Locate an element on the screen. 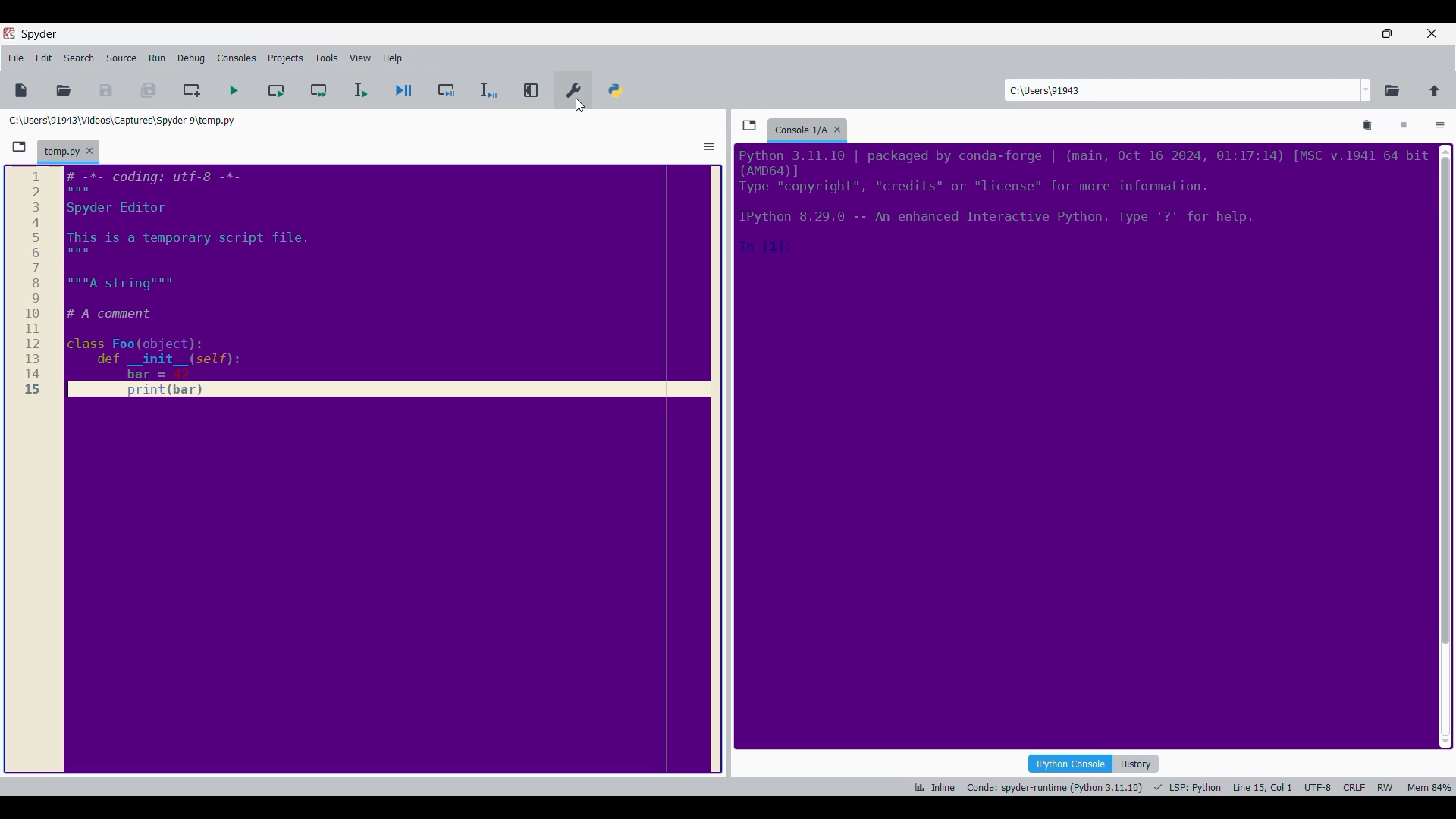  Line 15, Col 1 is located at coordinates (1263, 786).